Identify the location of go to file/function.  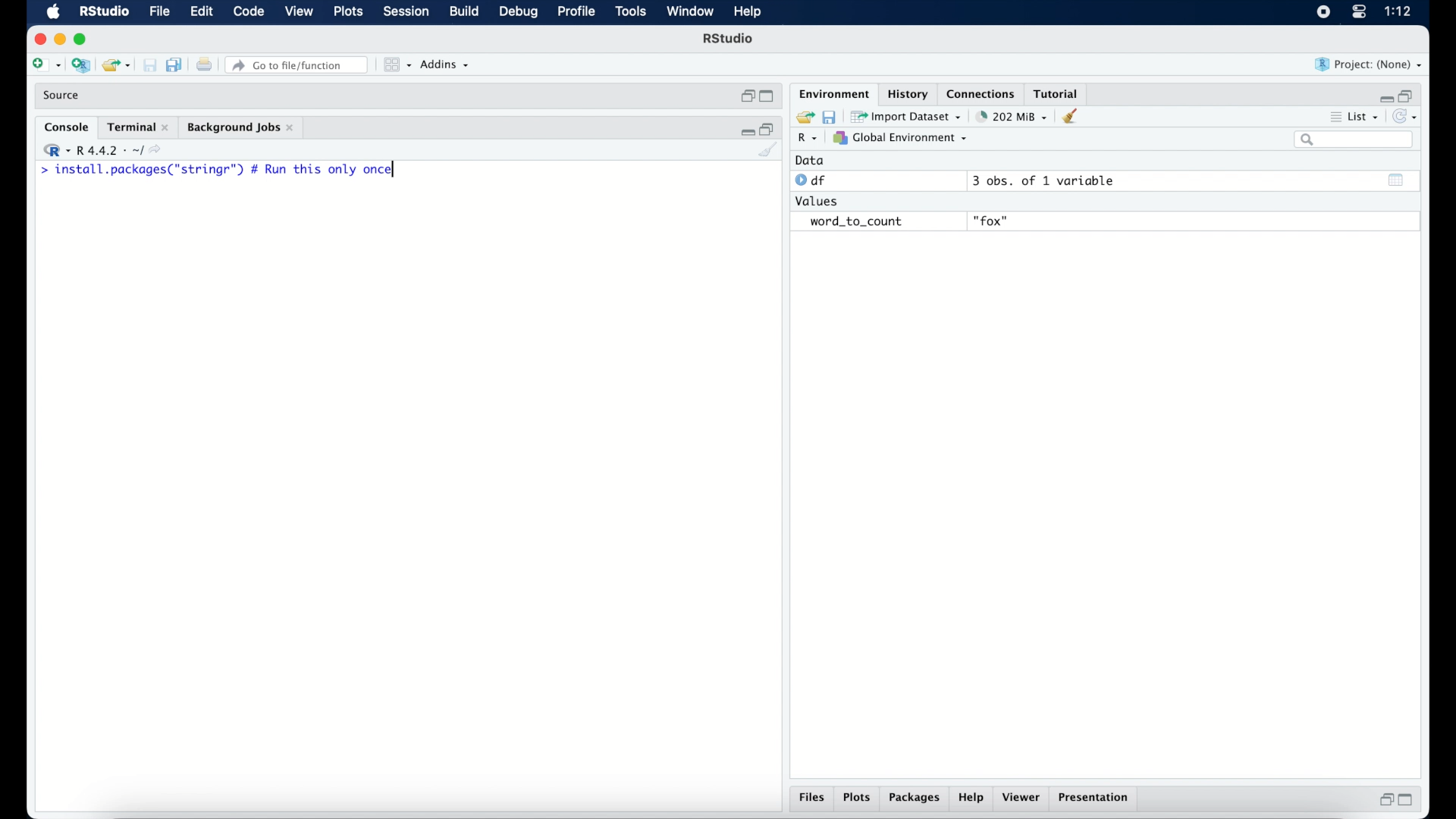
(300, 65).